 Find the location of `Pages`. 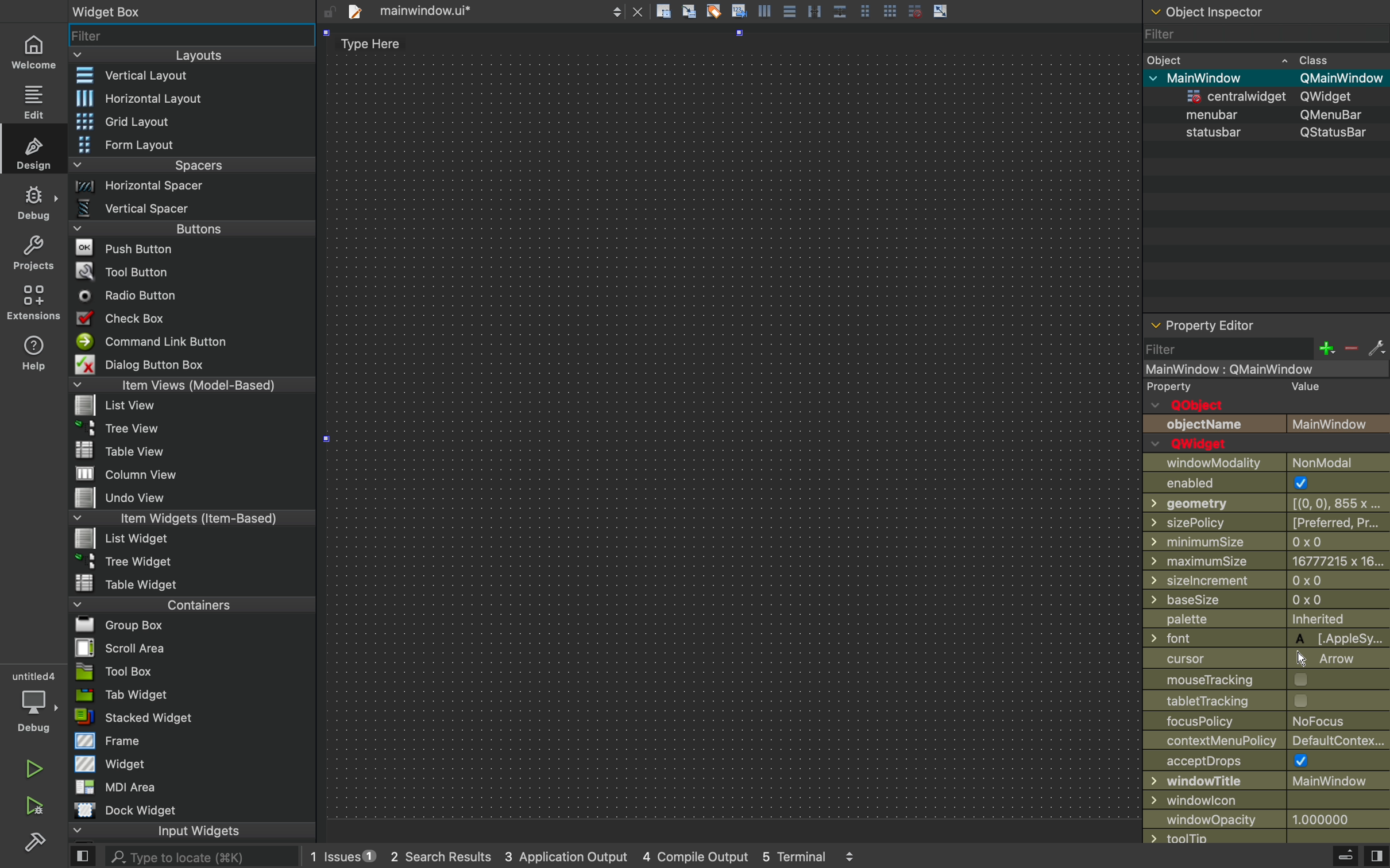

Pages is located at coordinates (868, 10).